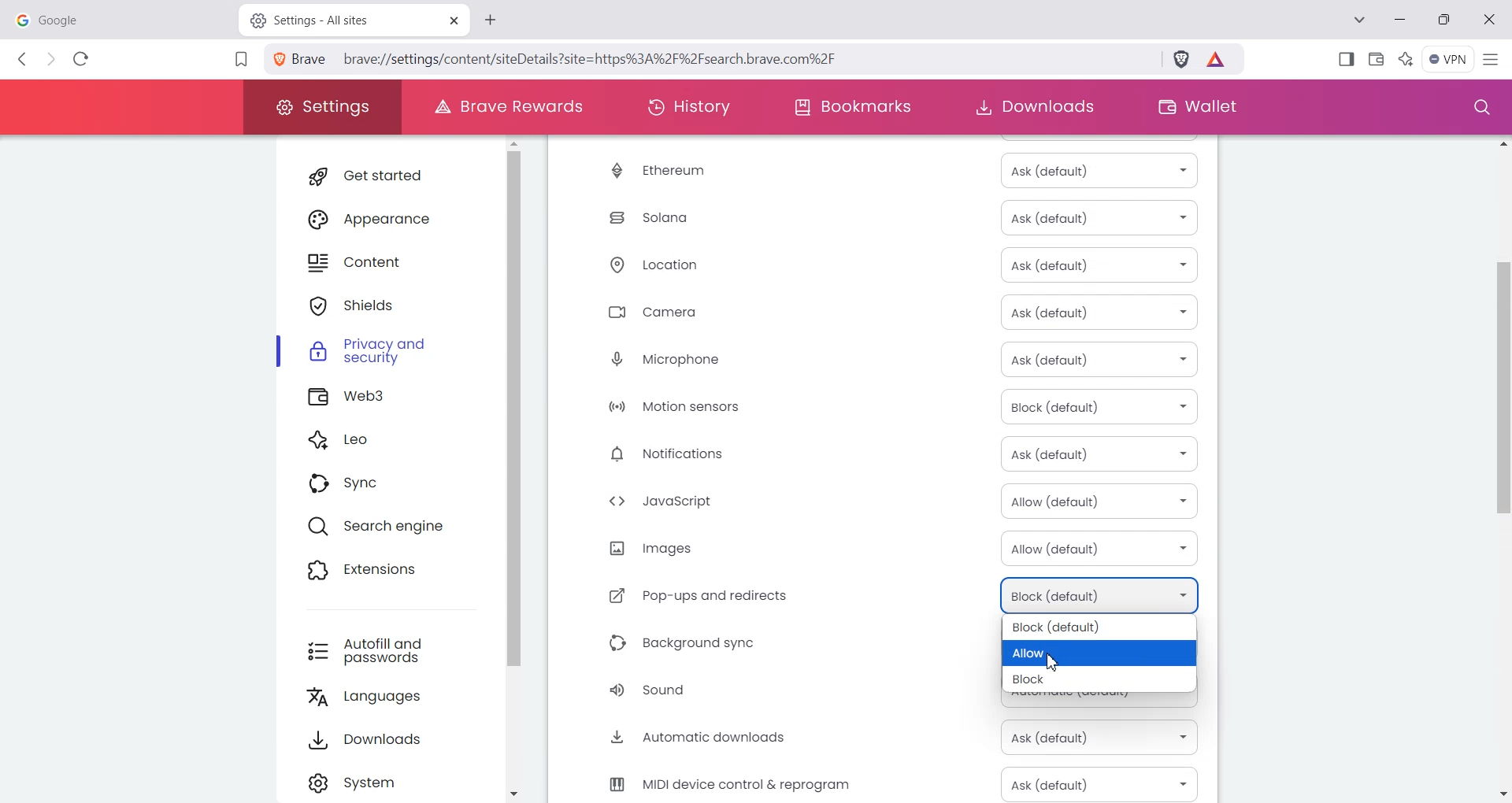  Describe the element at coordinates (885, 501) in the screenshot. I see `JavaScript Allow (Default)` at that location.